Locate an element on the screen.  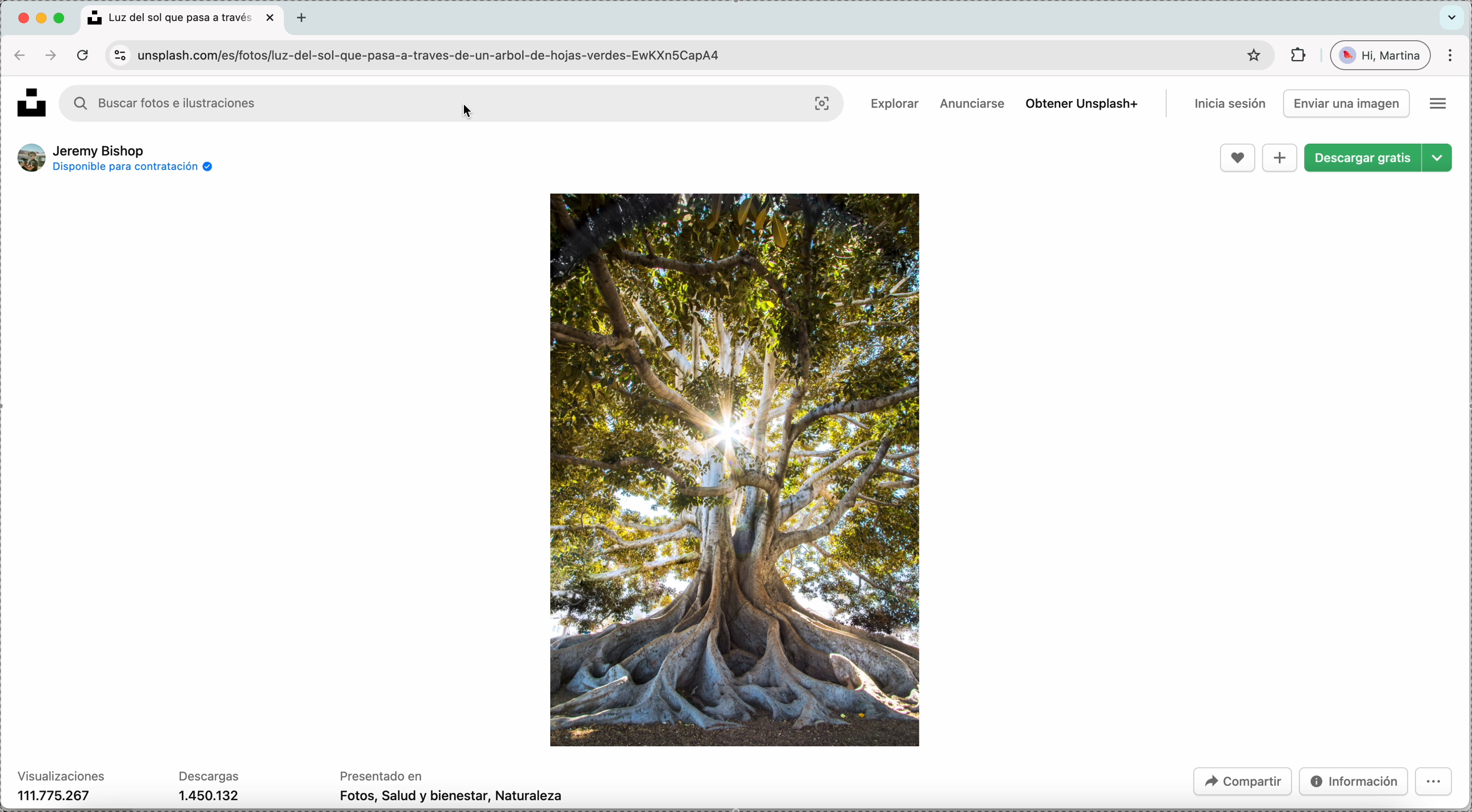
refresh the page is located at coordinates (81, 55).